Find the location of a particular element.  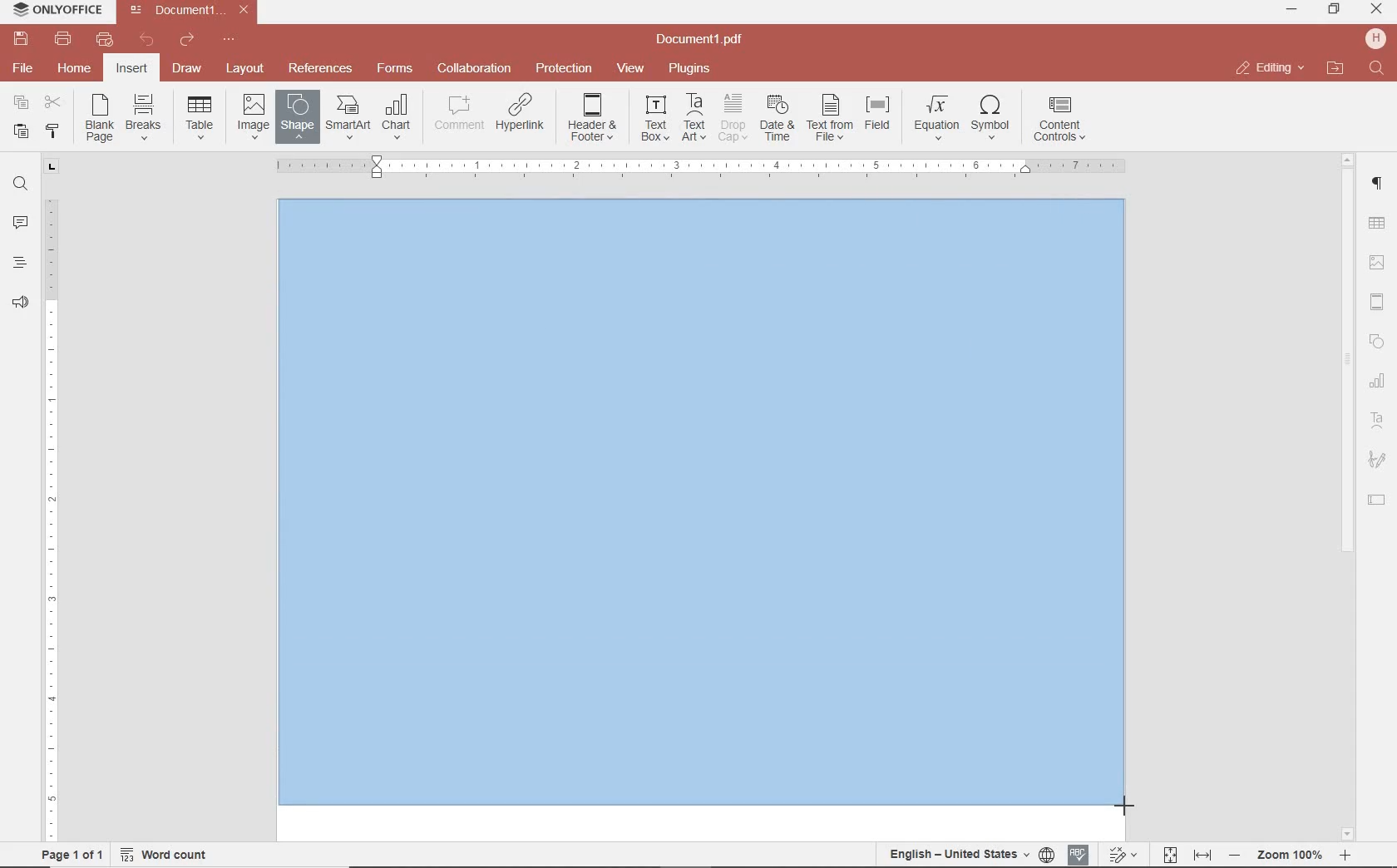

 is located at coordinates (699, 166).